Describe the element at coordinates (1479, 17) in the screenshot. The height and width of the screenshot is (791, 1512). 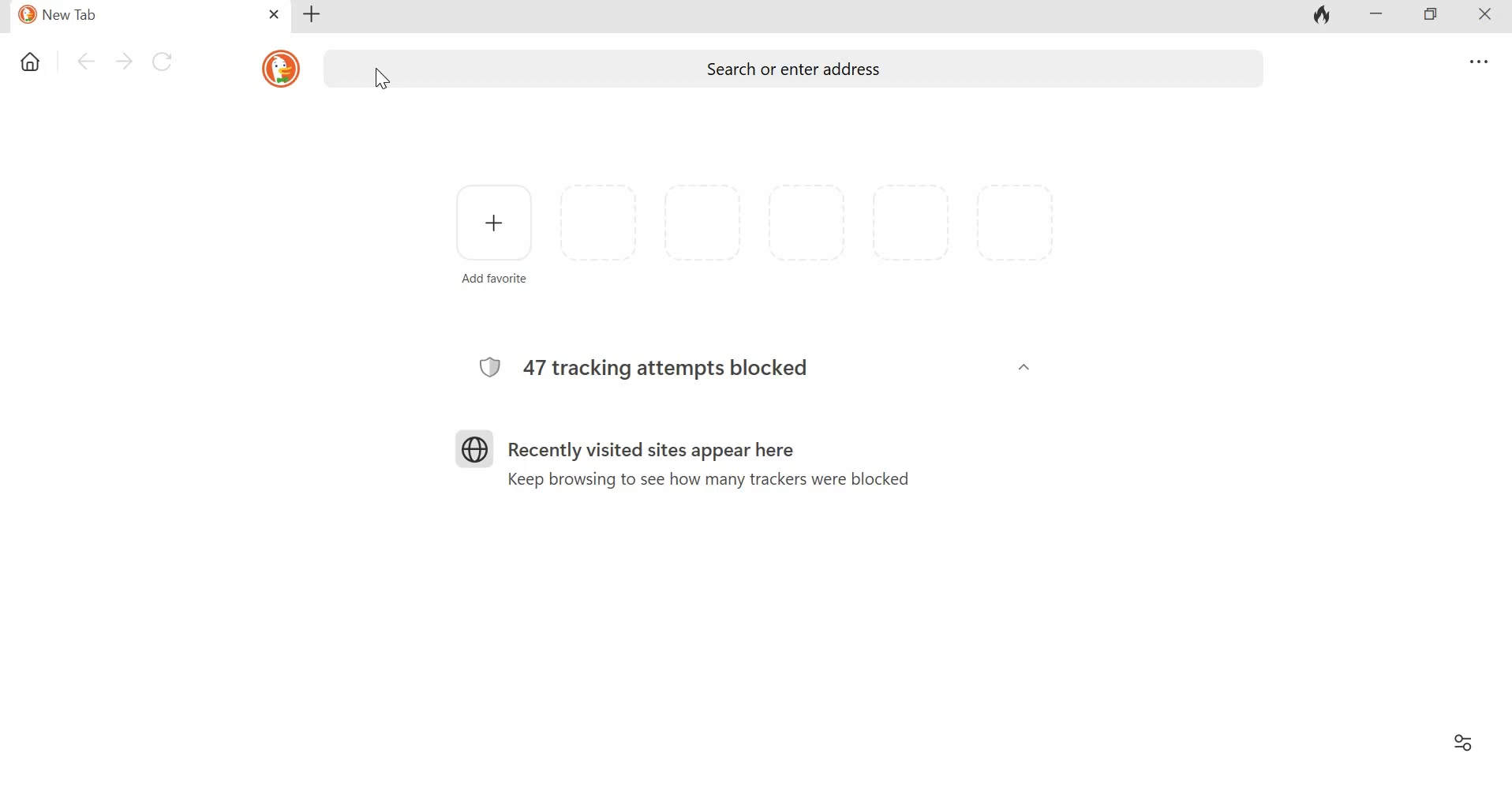
I see `Close` at that location.